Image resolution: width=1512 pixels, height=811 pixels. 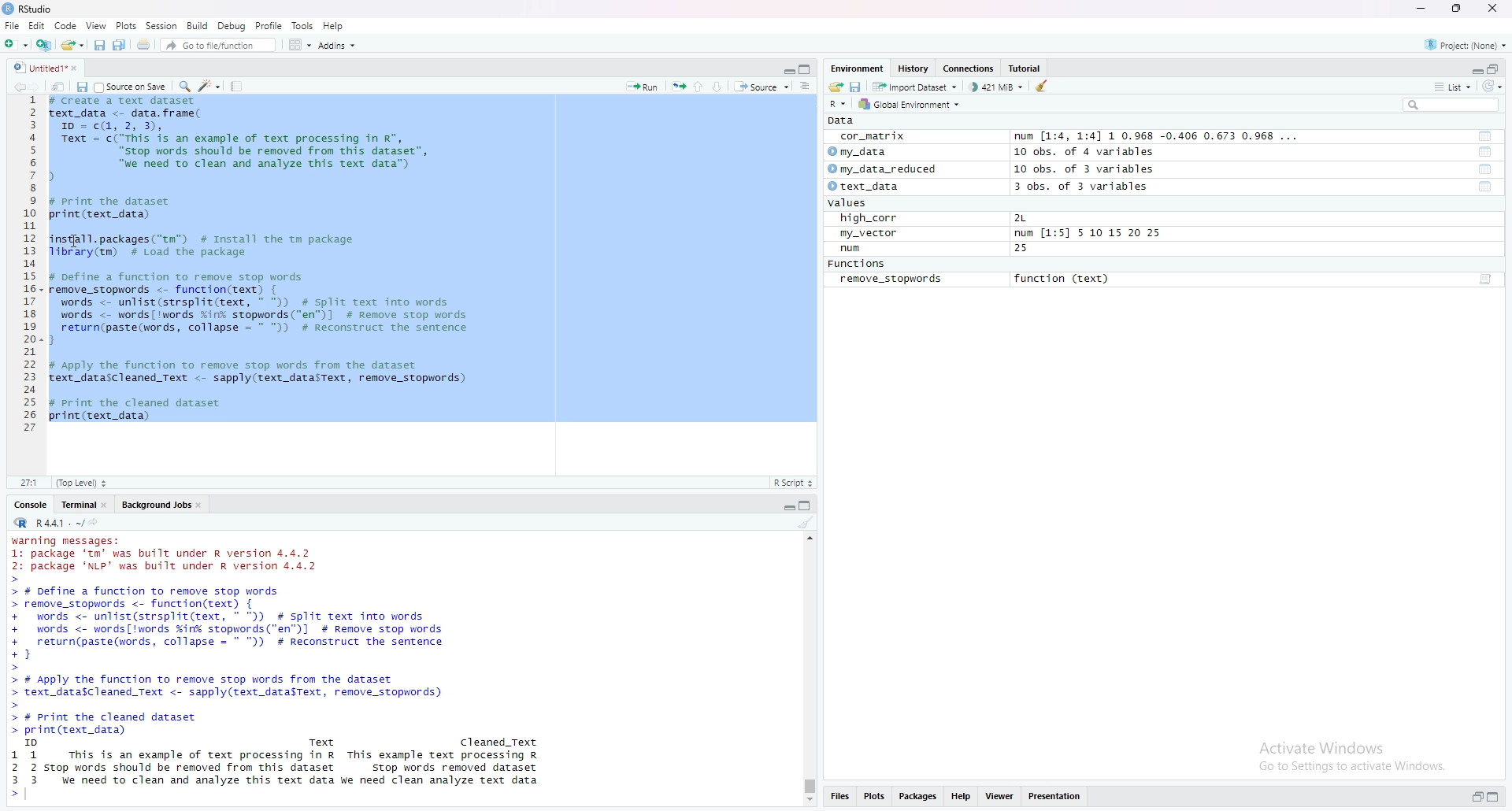 I want to click on clear console, so click(x=807, y=523).